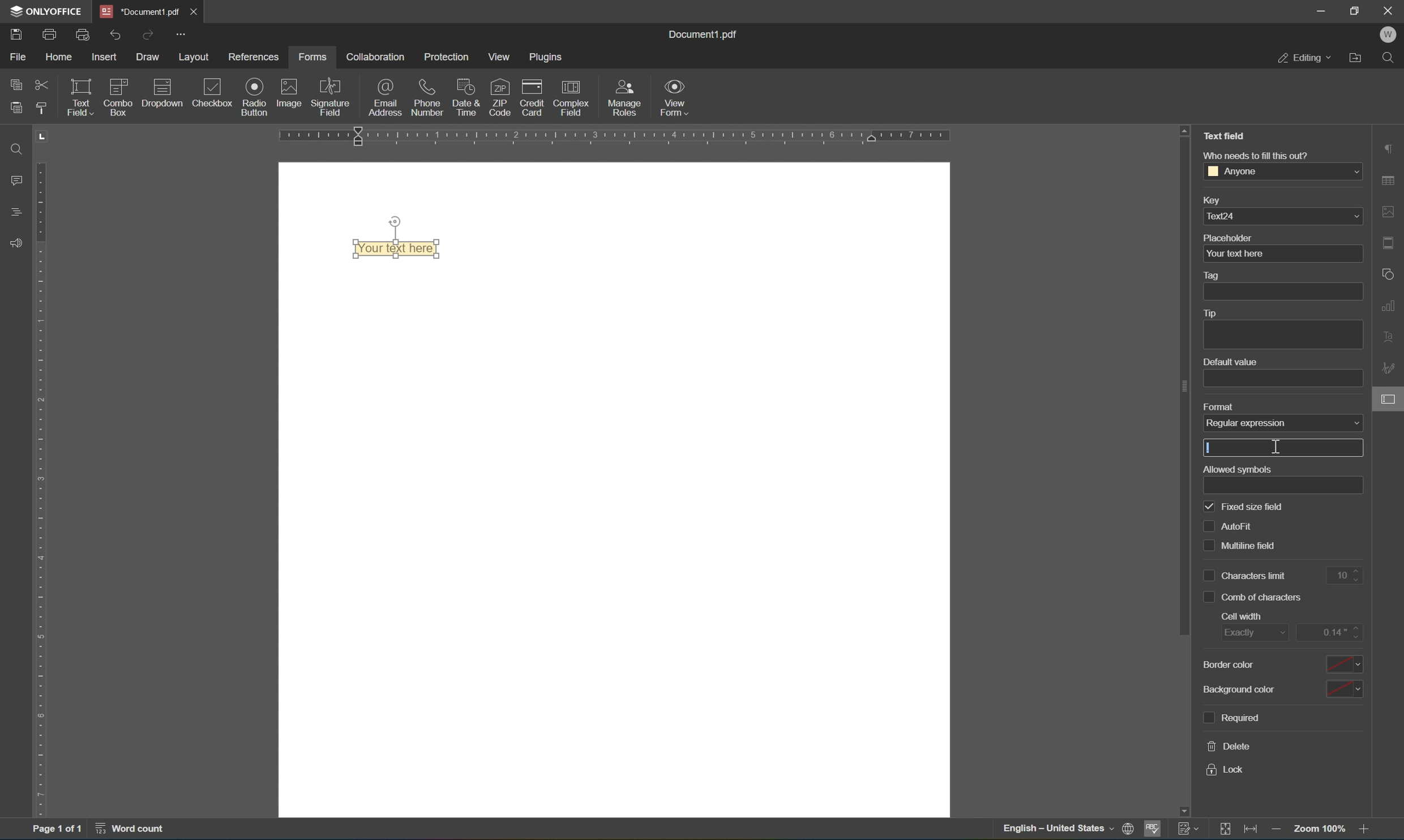 The height and width of the screenshot is (840, 1404). Describe the element at coordinates (118, 97) in the screenshot. I see `icon` at that location.